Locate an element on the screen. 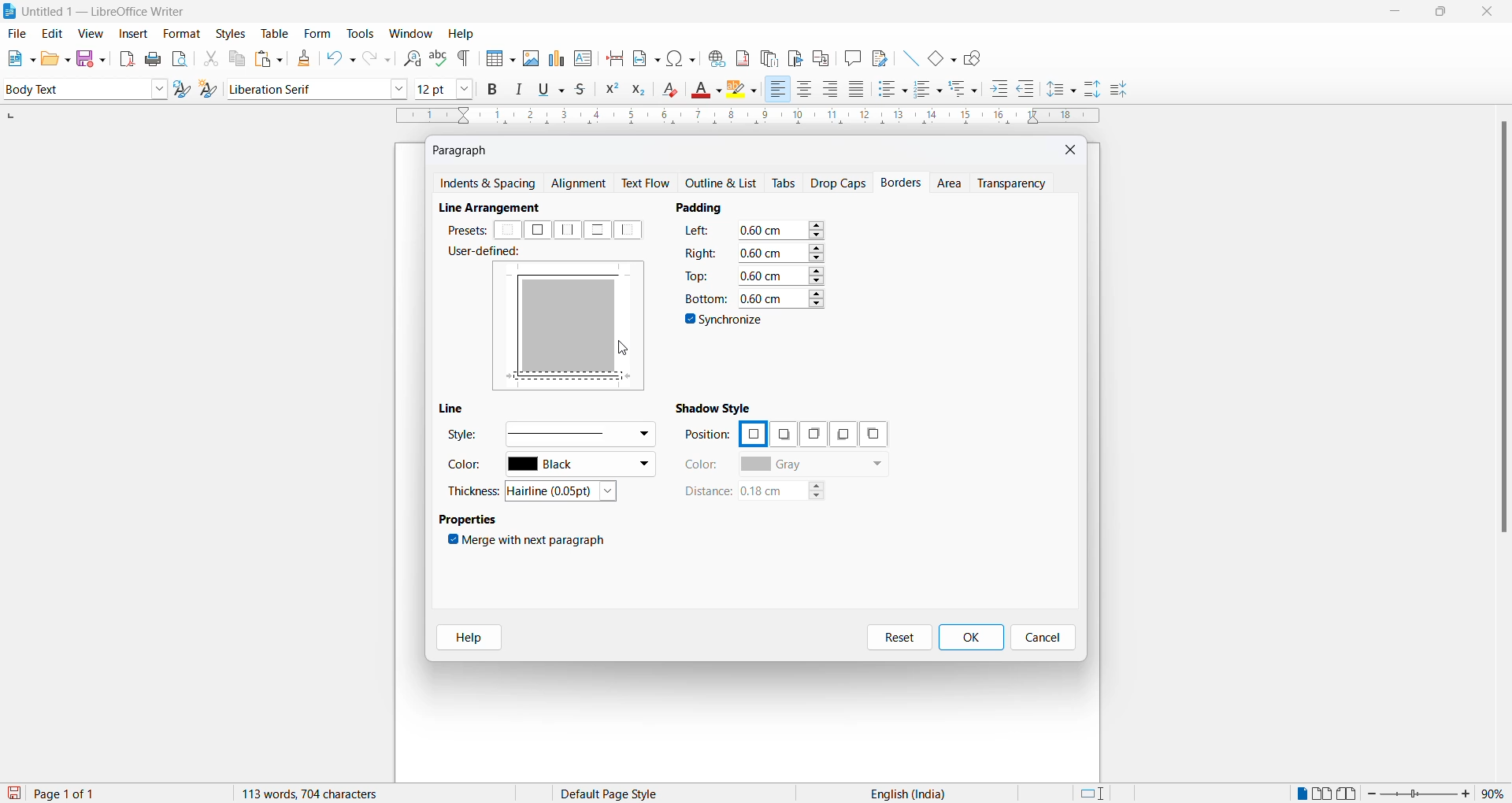  maximize is located at coordinates (1440, 13).